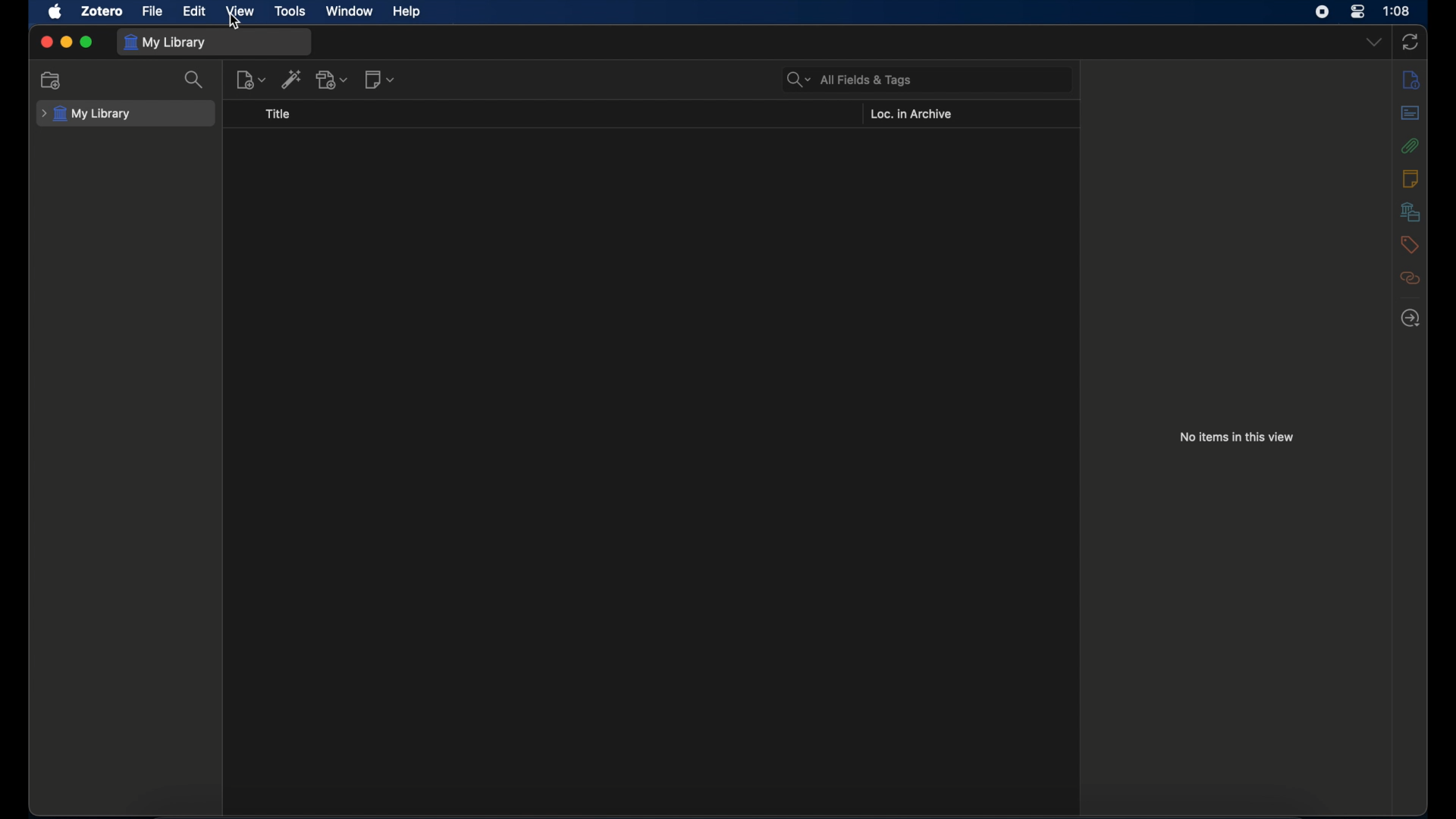 The image size is (1456, 819). I want to click on cursor, so click(237, 20).